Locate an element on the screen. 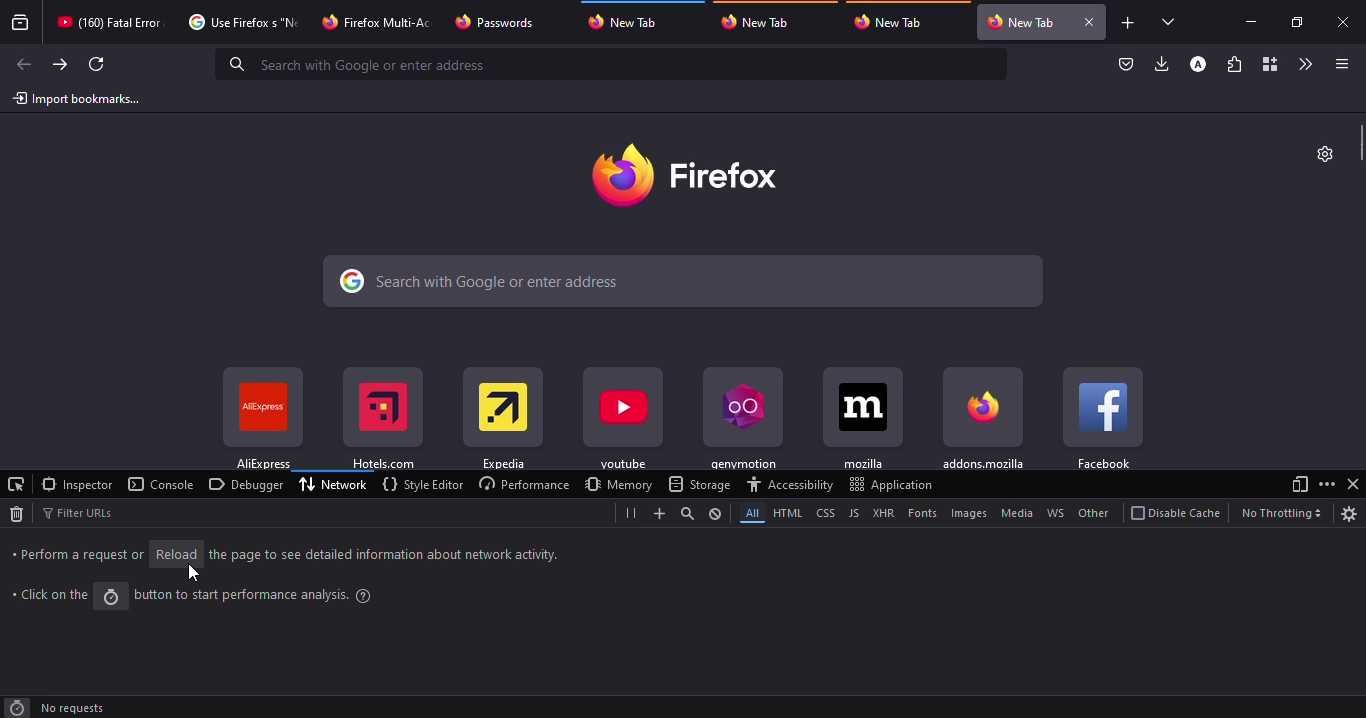 The height and width of the screenshot is (718, 1366). shortcuts is located at coordinates (864, 420).